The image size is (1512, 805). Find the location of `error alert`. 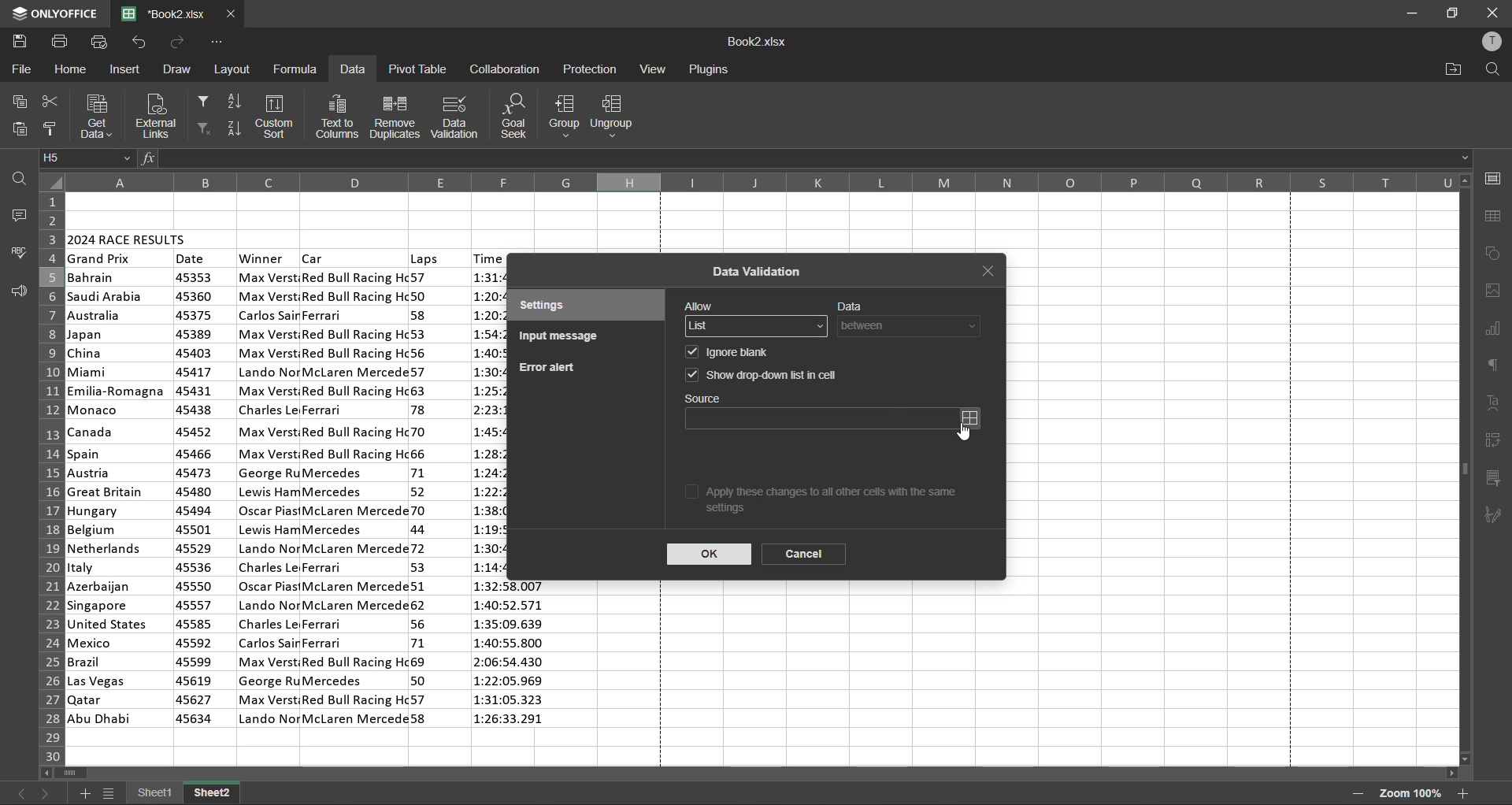

error alert is located at coordinates (547, 368).